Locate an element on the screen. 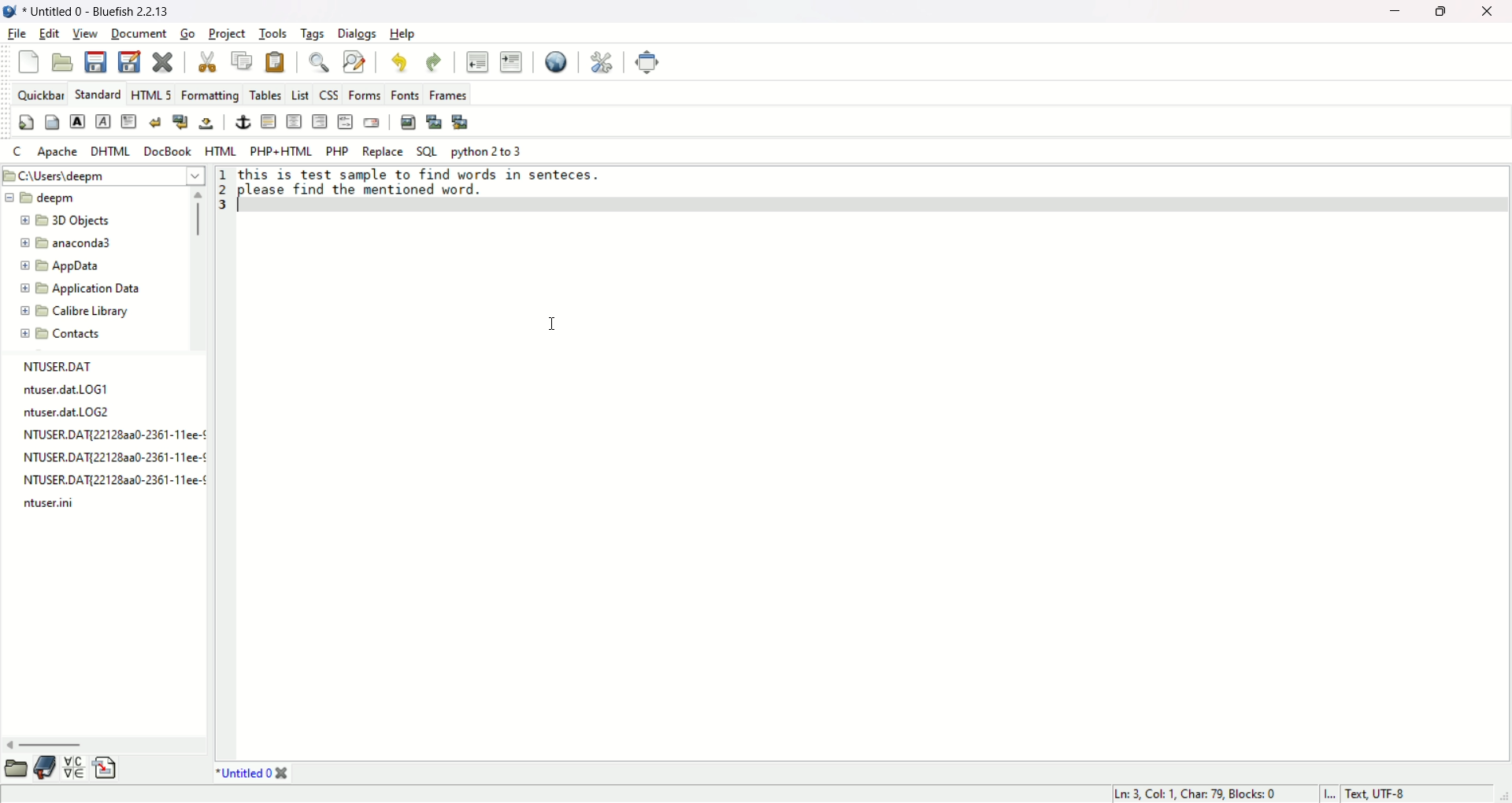  move up is located at coordinates (199, 194).